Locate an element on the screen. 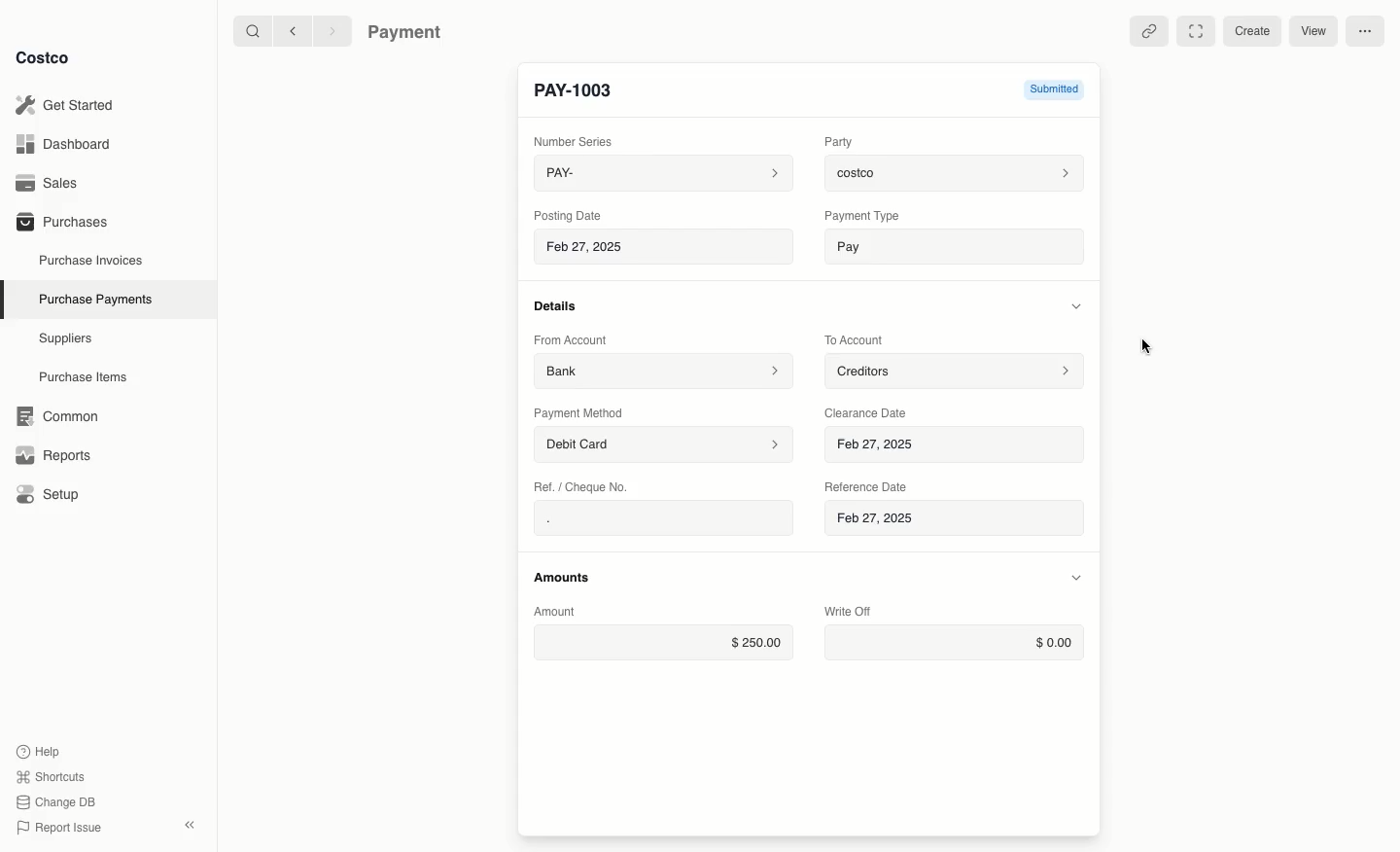 Image resolution: width=1400 pixels, height=852 pixels. Search is located at coordinates (252, 29).